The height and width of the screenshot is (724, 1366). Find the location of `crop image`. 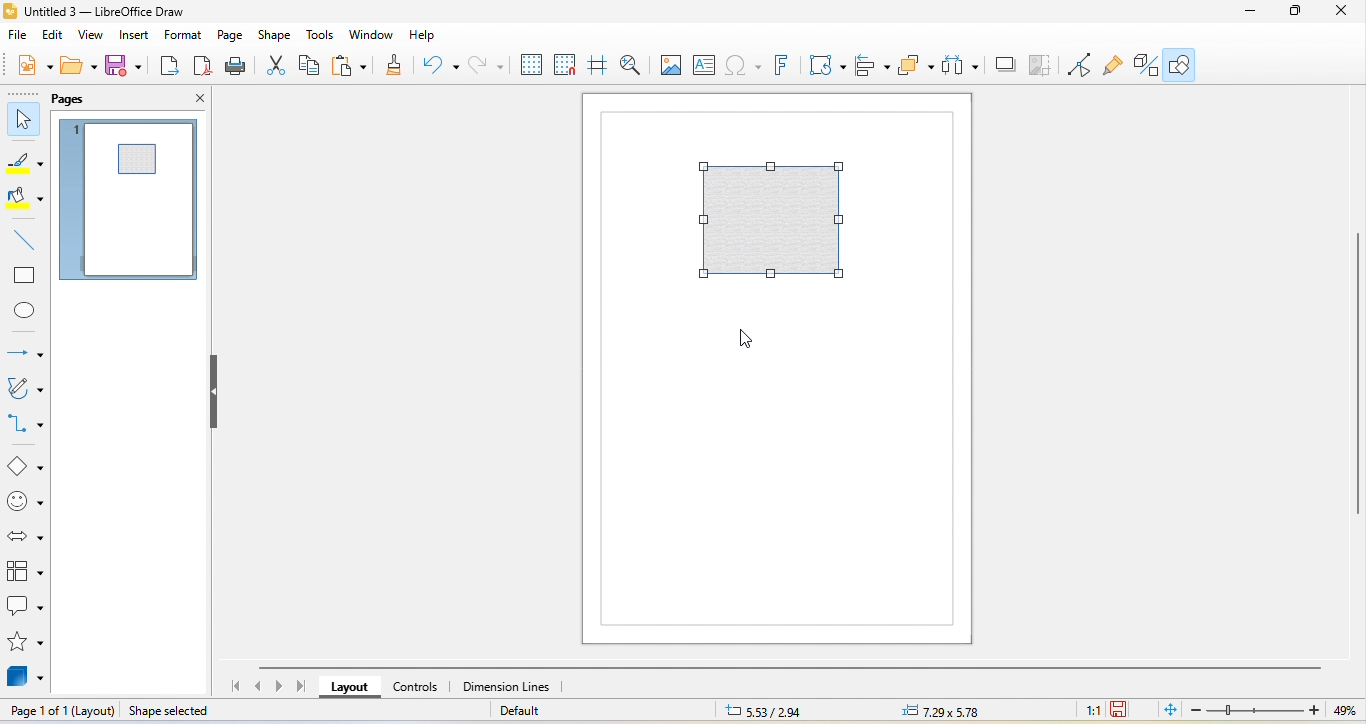

crop image is located at coordinates (1041, 66).